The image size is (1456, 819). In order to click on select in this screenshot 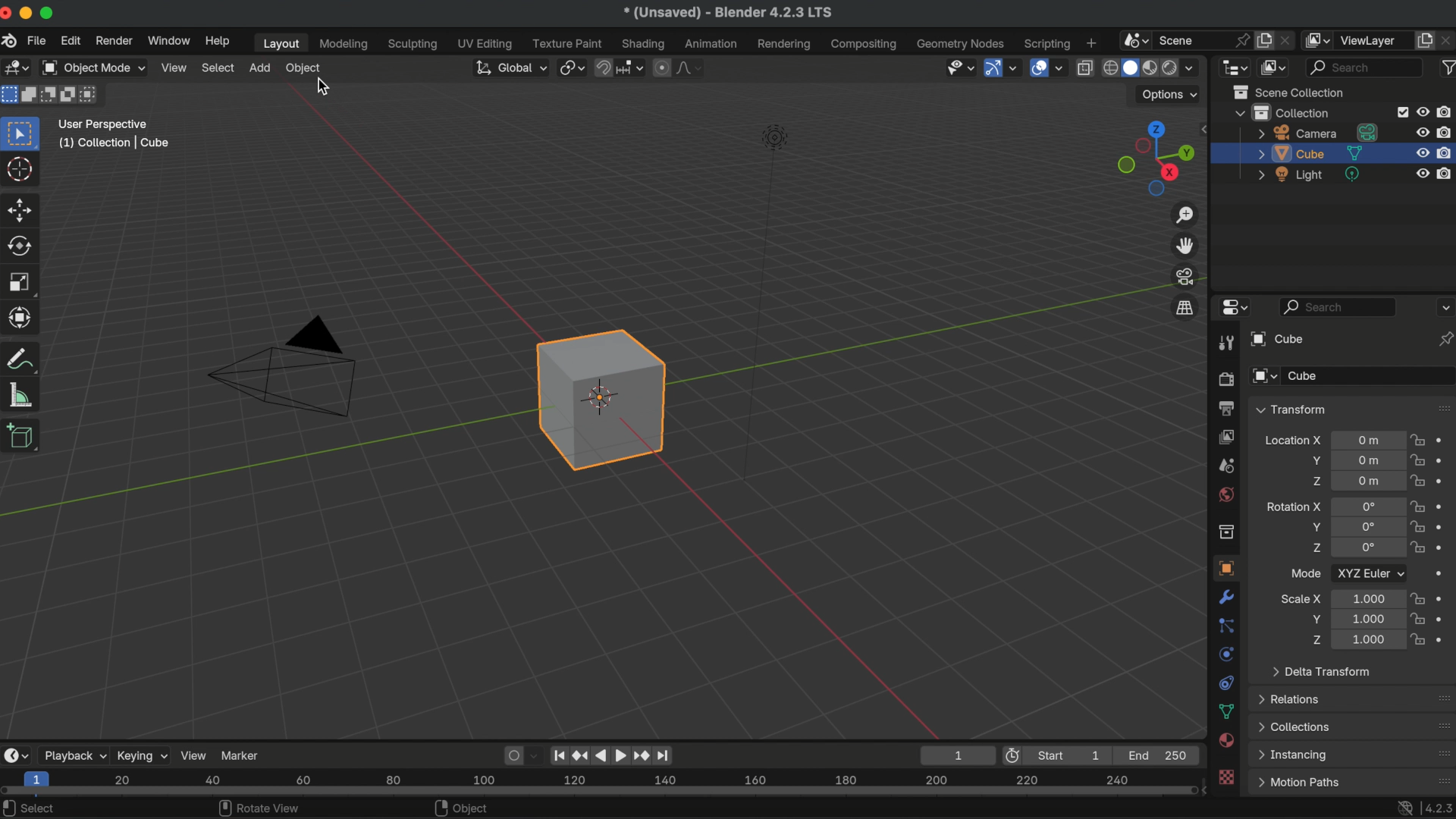, I will do `click(35, 808)`.